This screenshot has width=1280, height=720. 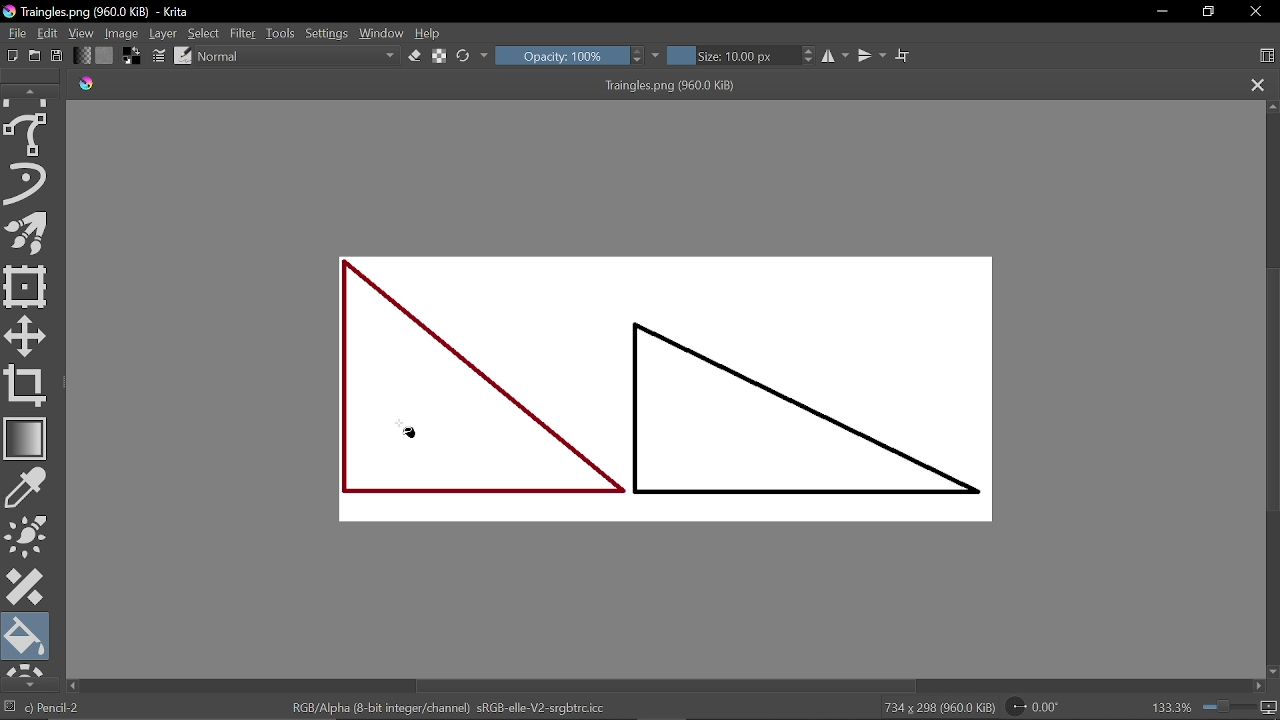 What do you see at coordinates (439, 58) in the screenshot?
I see `Preserve alpha` at bounding box center [439, 58].